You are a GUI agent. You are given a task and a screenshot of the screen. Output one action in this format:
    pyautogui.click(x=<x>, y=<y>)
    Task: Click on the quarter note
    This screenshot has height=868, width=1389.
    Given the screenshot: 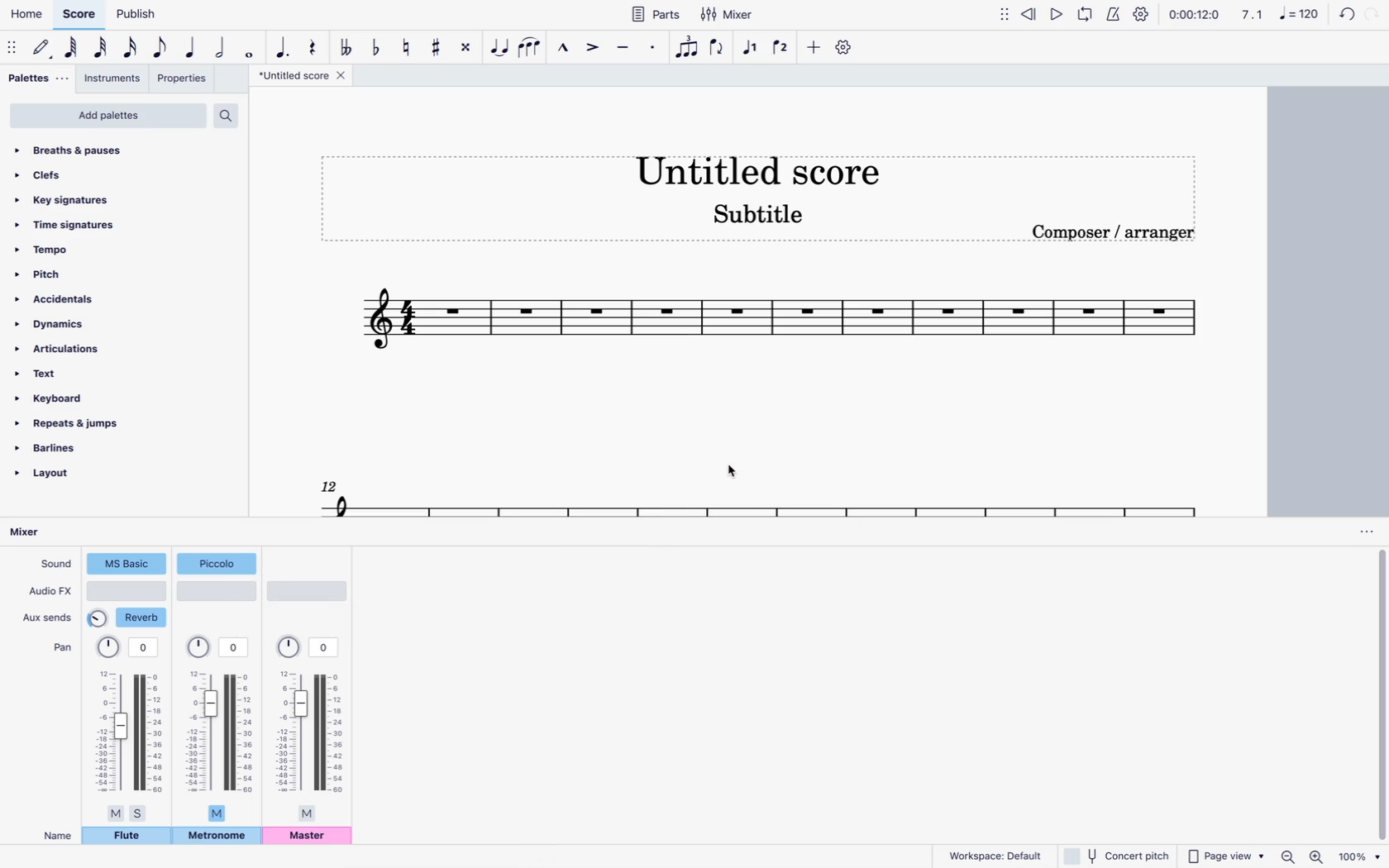 What is the action you would take?
    pyautogui.click(x=191, y=48)
    